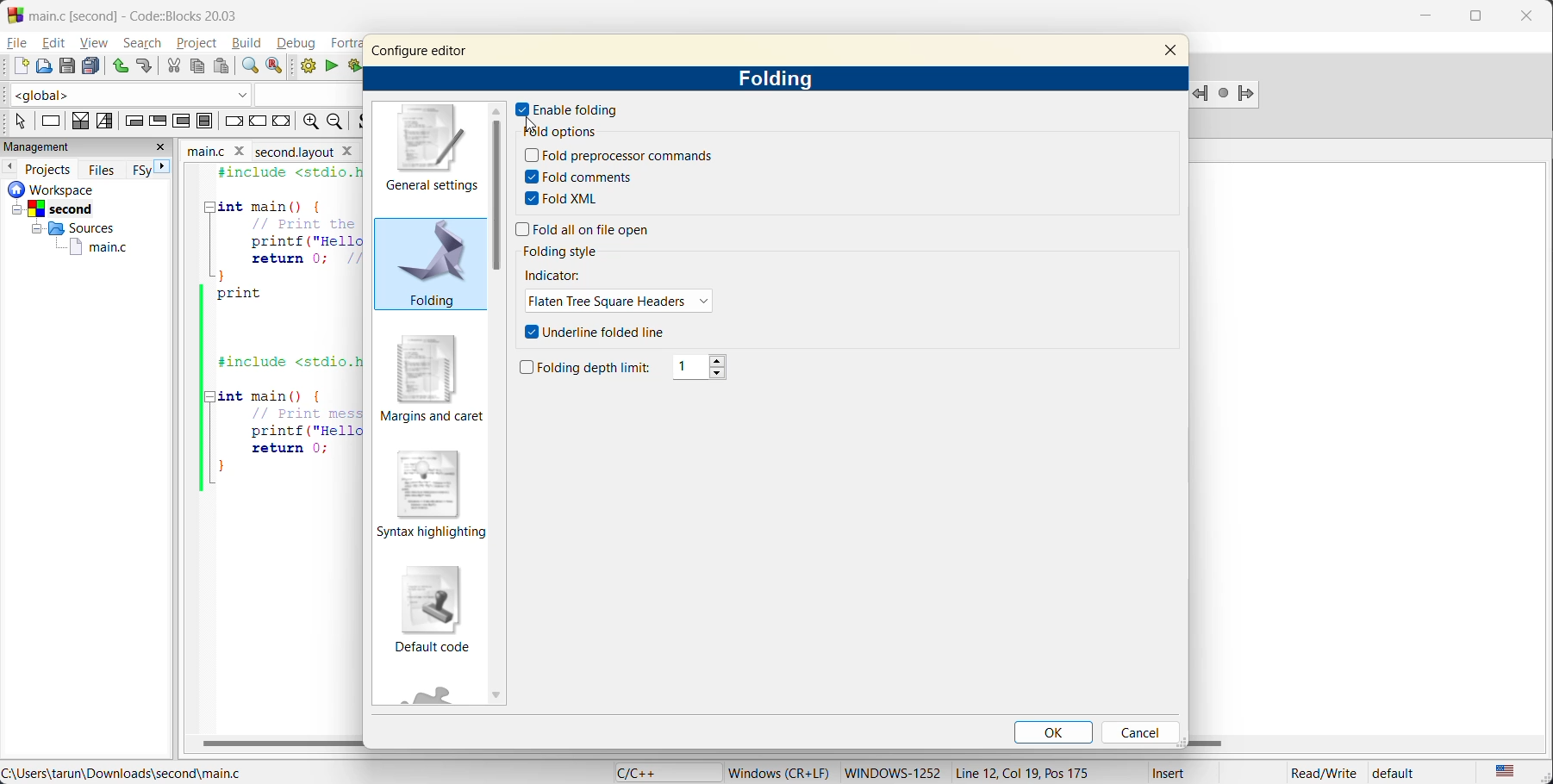  What do you see at coordinates (1201, 91) in the screenshot?
I see `Jump backward` at bounding box center [1201, 91].